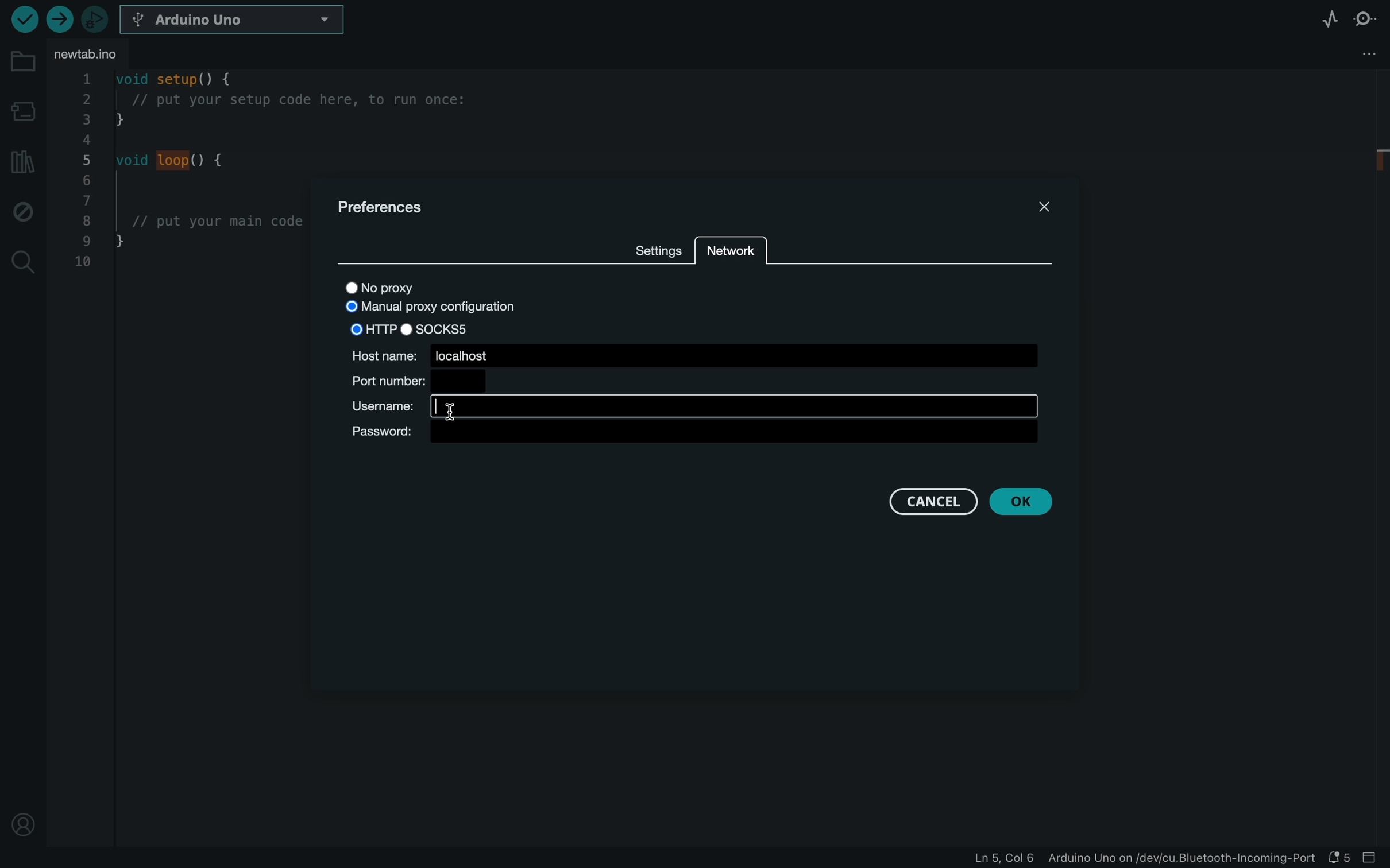 This screenshot has height=868, width=1390. Describe the element at coordinates (1020, 502) in the screenshot. I see `ok` at that location.